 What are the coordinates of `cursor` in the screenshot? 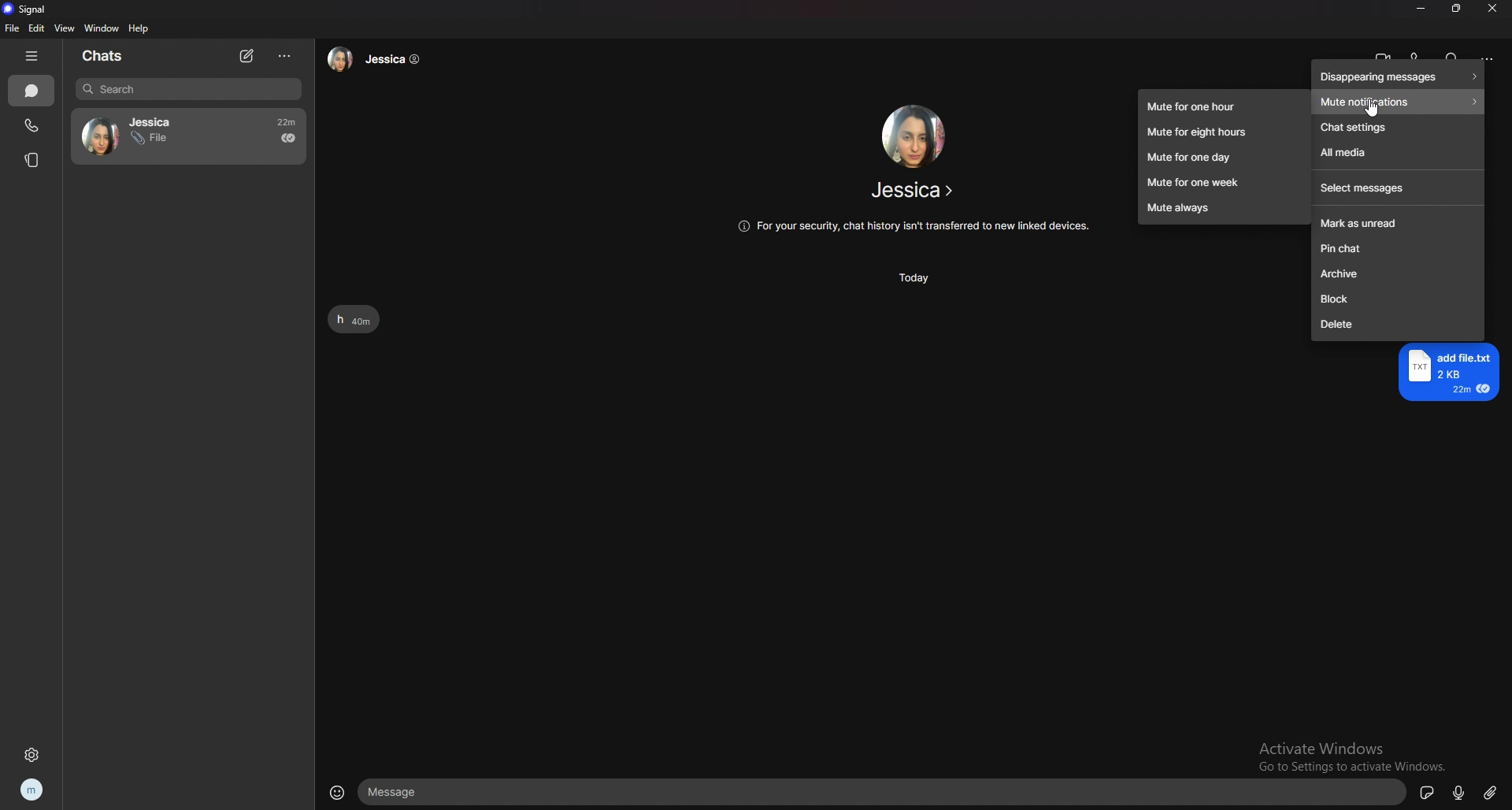 It's located at (1373, 110).